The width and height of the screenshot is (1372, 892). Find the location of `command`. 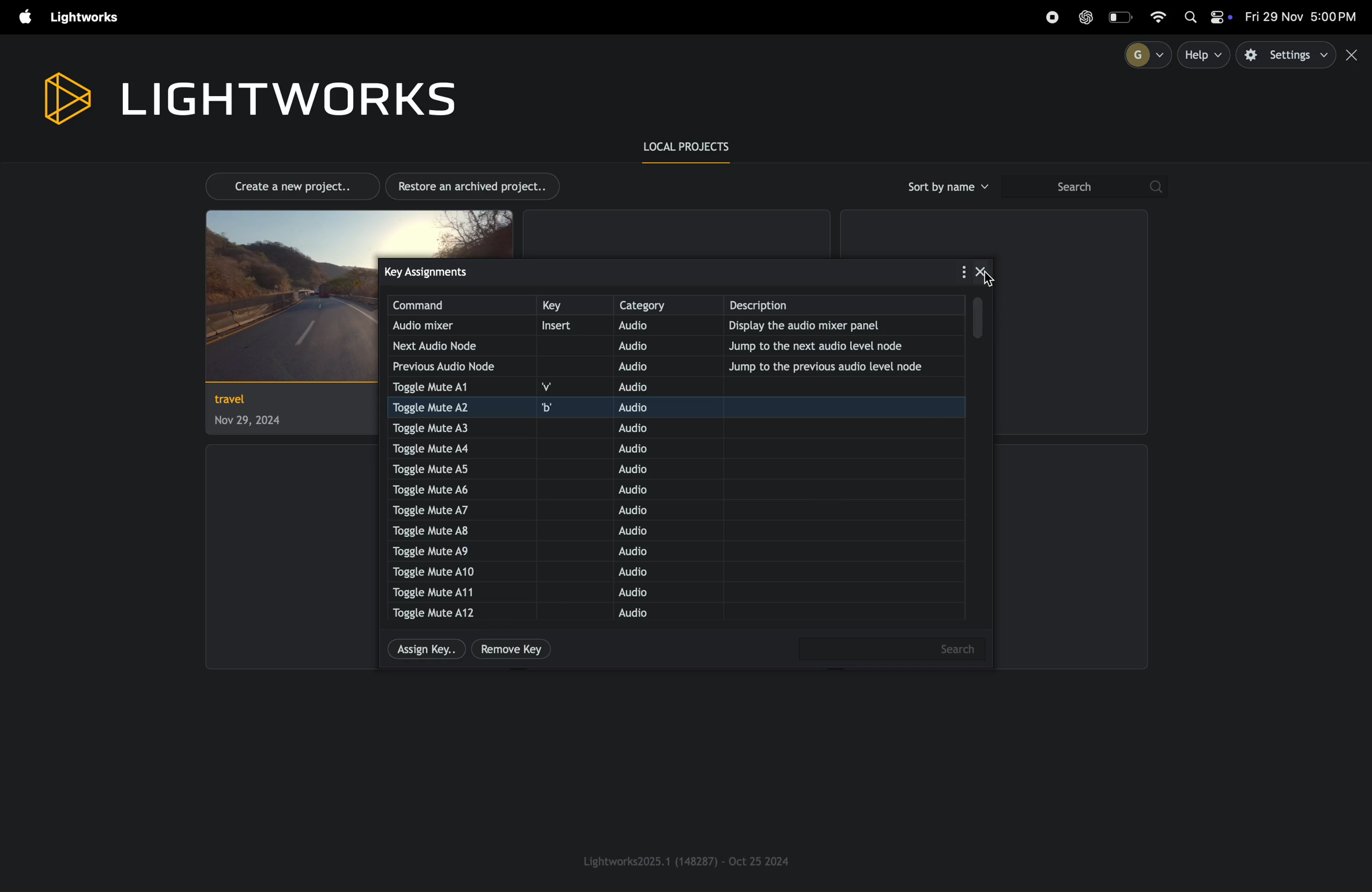

command is located at coordinates (461, 305).